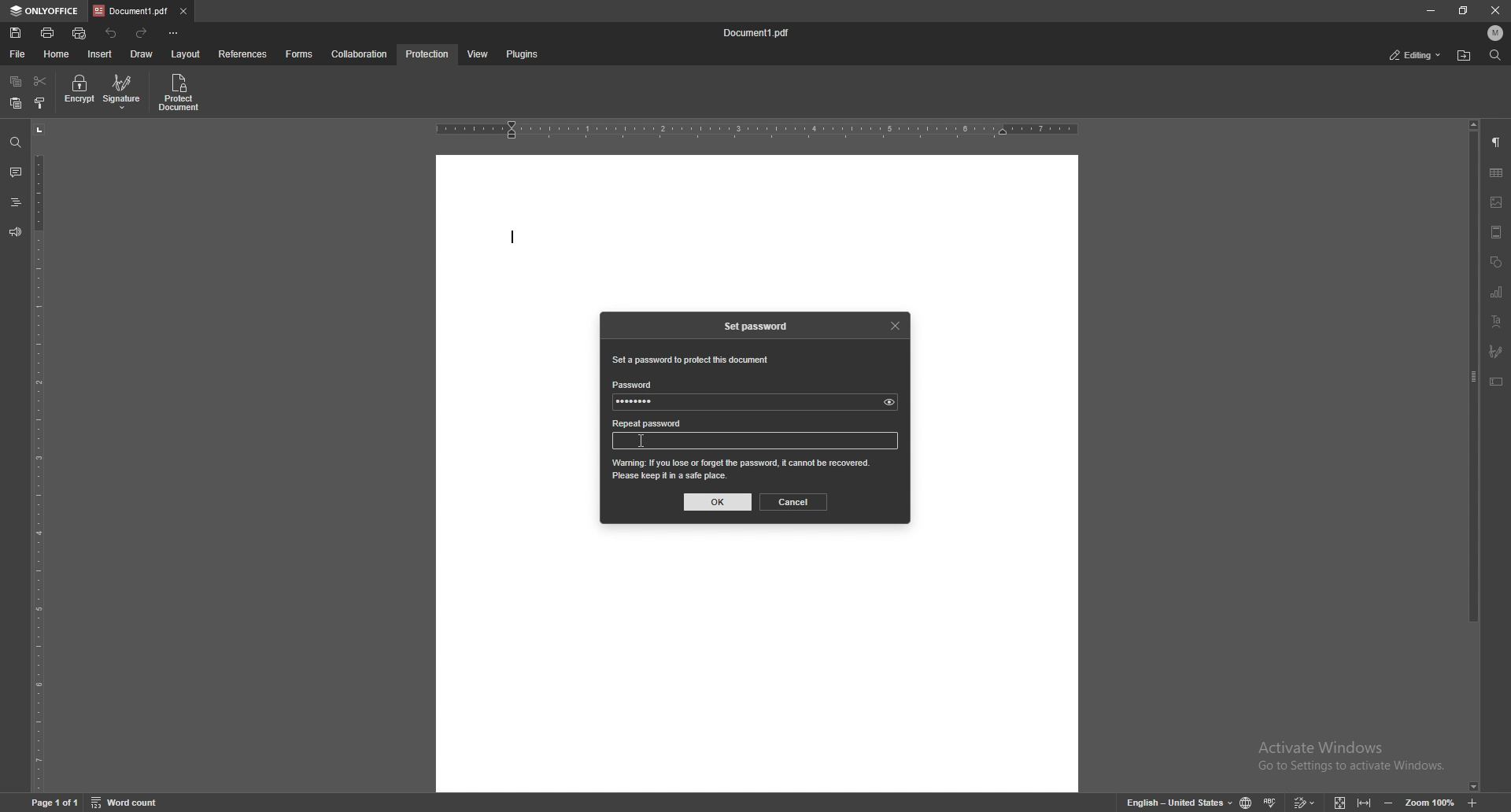  Describe the element at coordinates (895, 324) in the screenshot. I see `close` at that location.